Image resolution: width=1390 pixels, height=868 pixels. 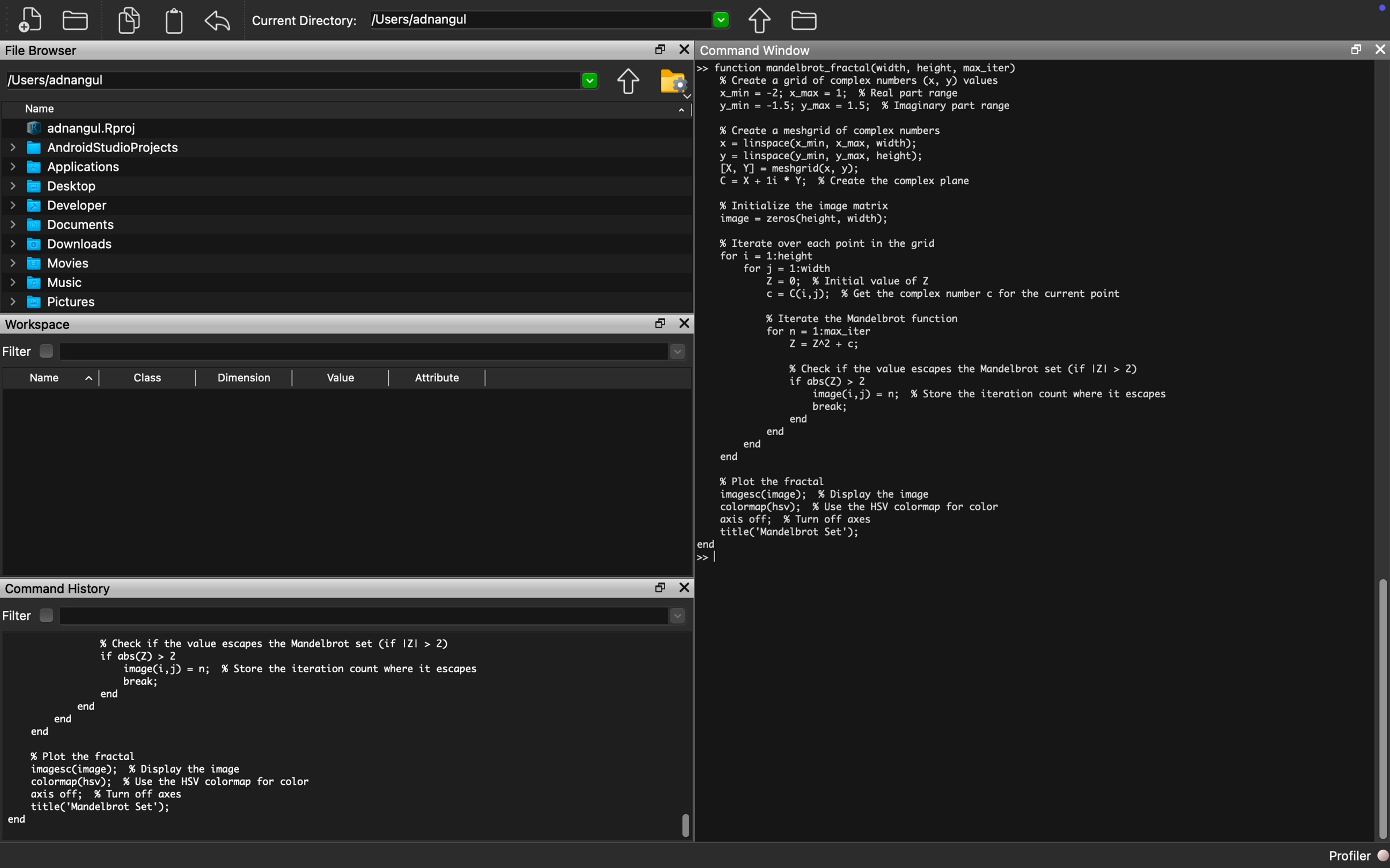 What do you see at coordinates (55, 303) in the screenshot?
I see `Pictures` at bounding box center [55, 303].